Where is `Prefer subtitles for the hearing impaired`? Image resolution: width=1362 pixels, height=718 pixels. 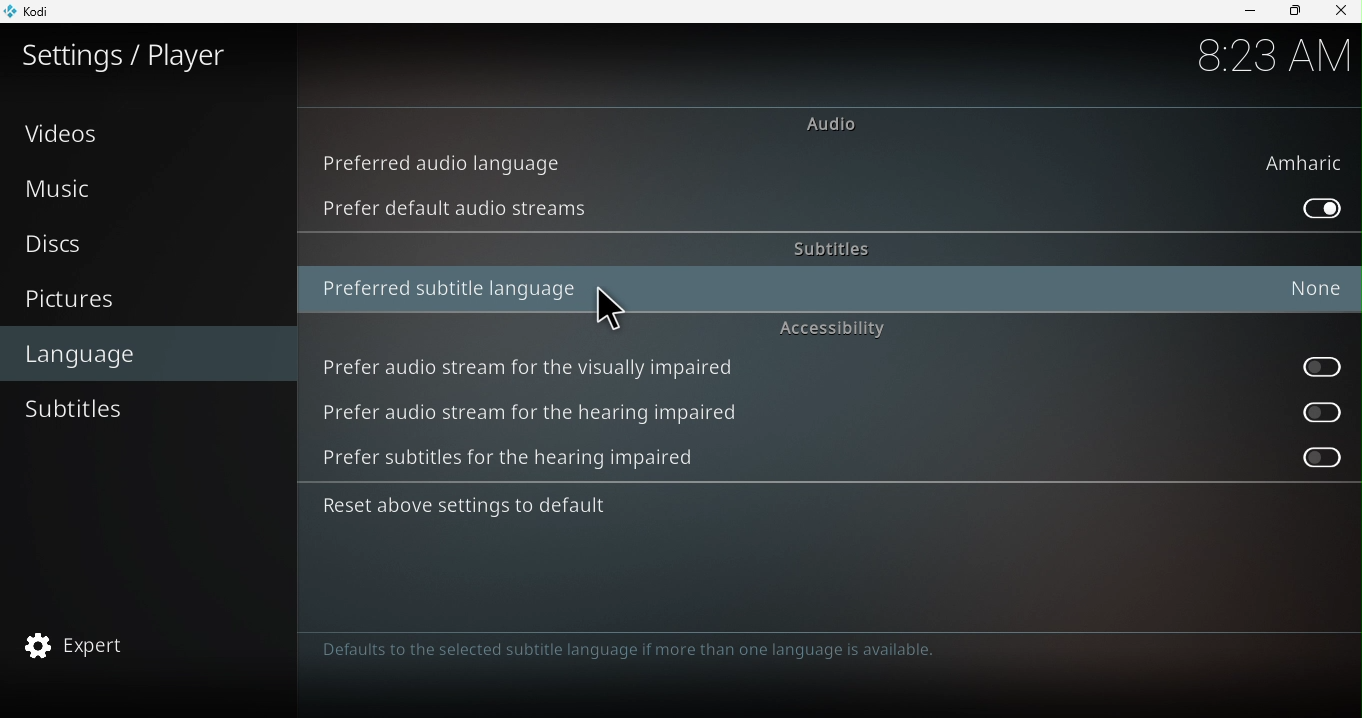 Prefer subtitles for the hearing impaired is located at coordinates (531, 462).